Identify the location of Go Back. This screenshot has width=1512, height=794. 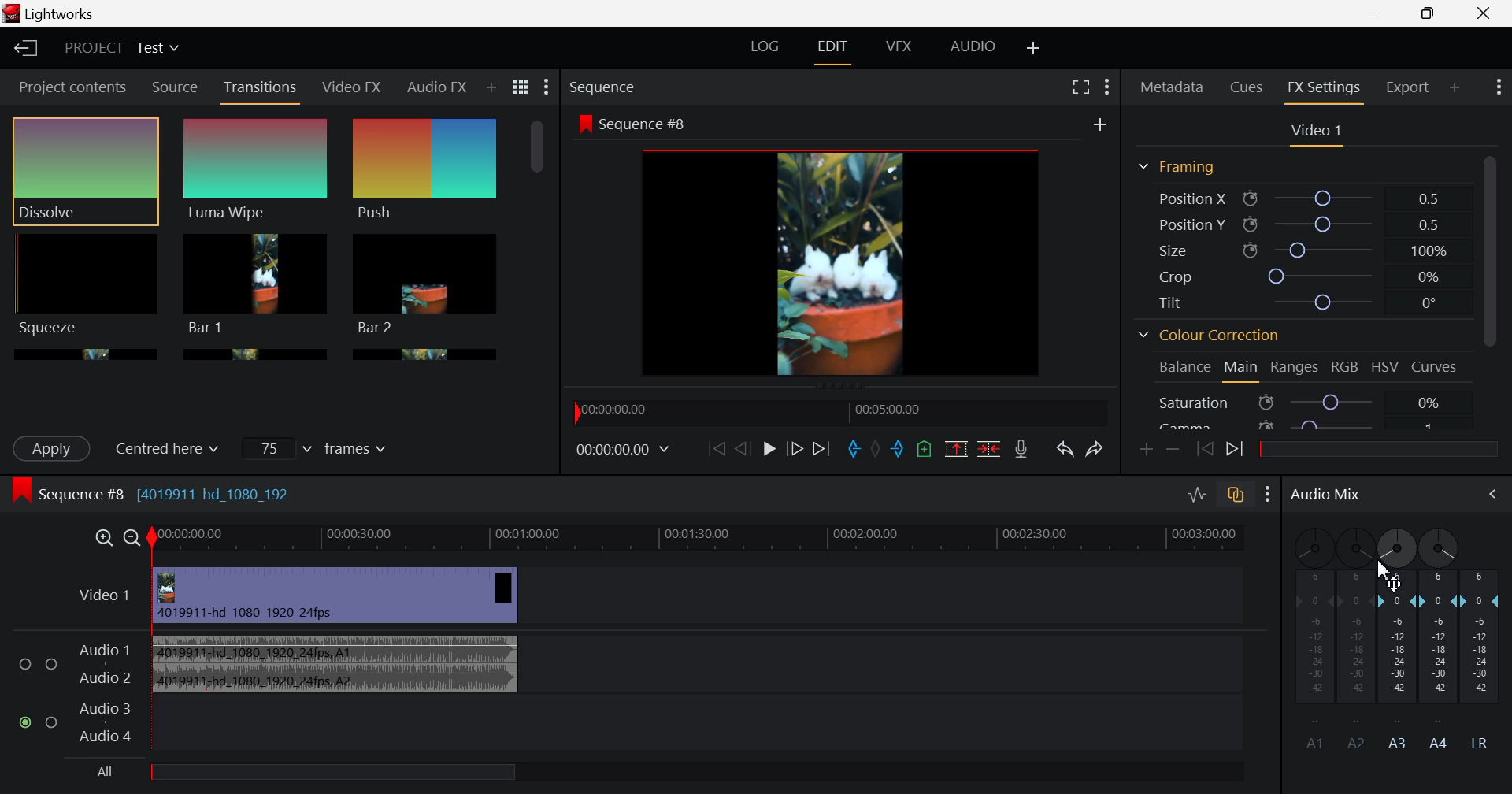
(741, 450).